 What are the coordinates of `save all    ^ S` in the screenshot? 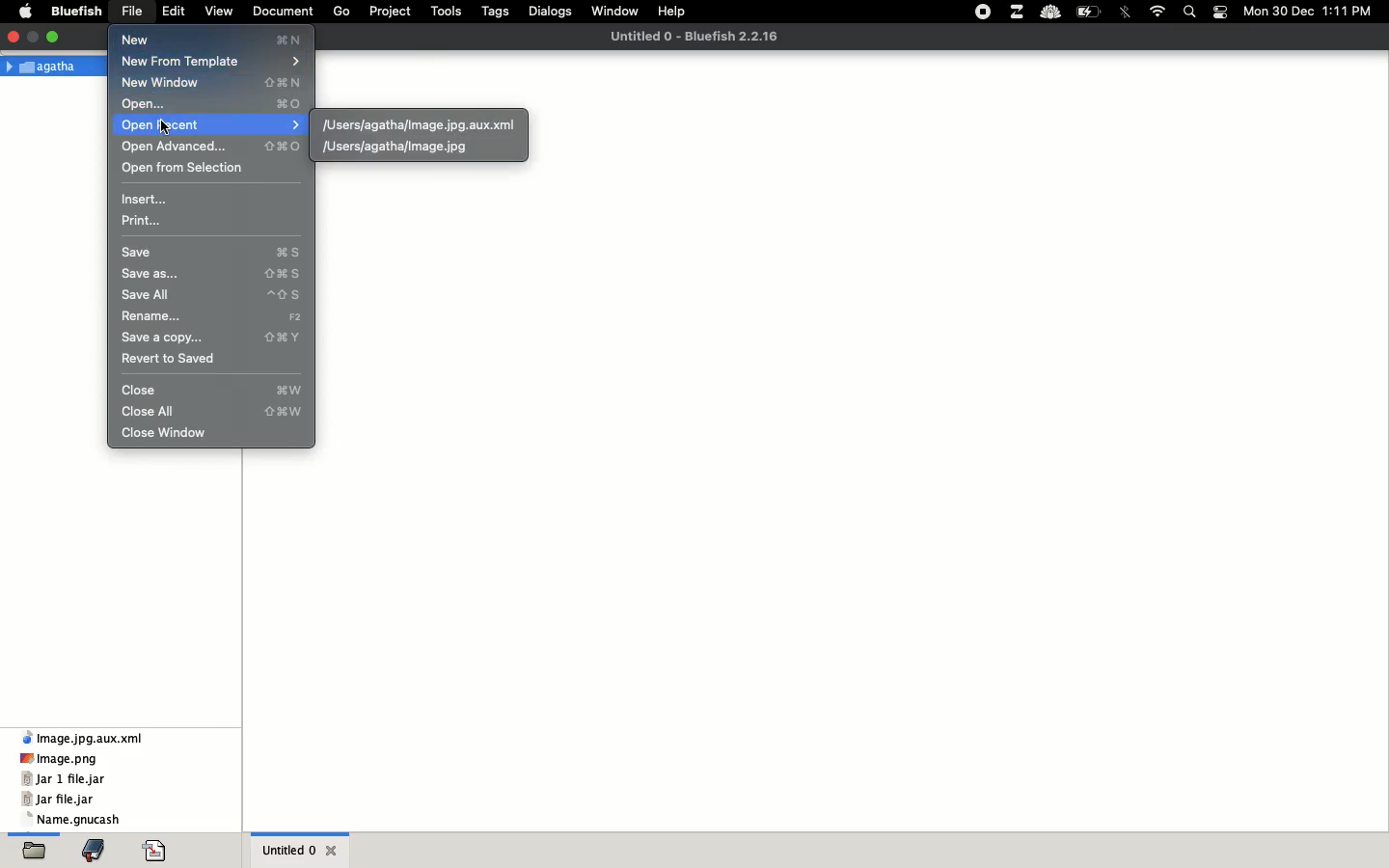 It's located at (211, 295).